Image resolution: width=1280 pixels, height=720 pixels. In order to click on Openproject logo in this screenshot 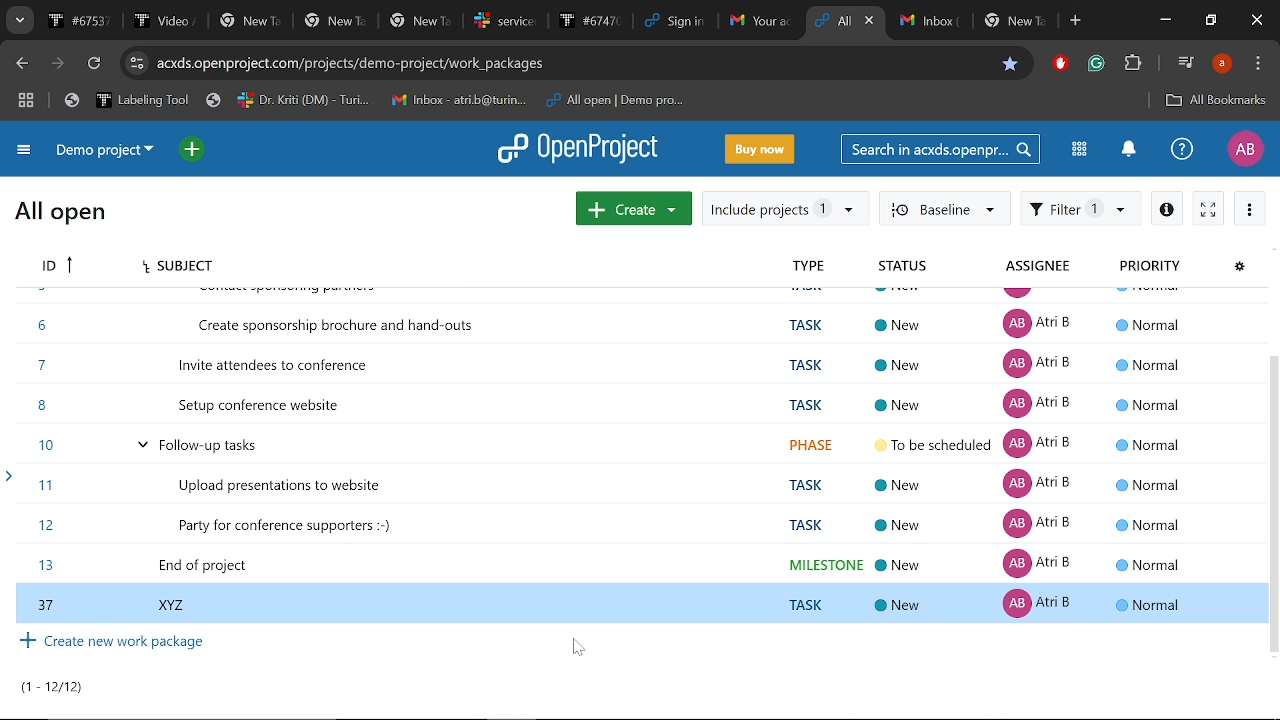, I will do `click(579, 148)`.